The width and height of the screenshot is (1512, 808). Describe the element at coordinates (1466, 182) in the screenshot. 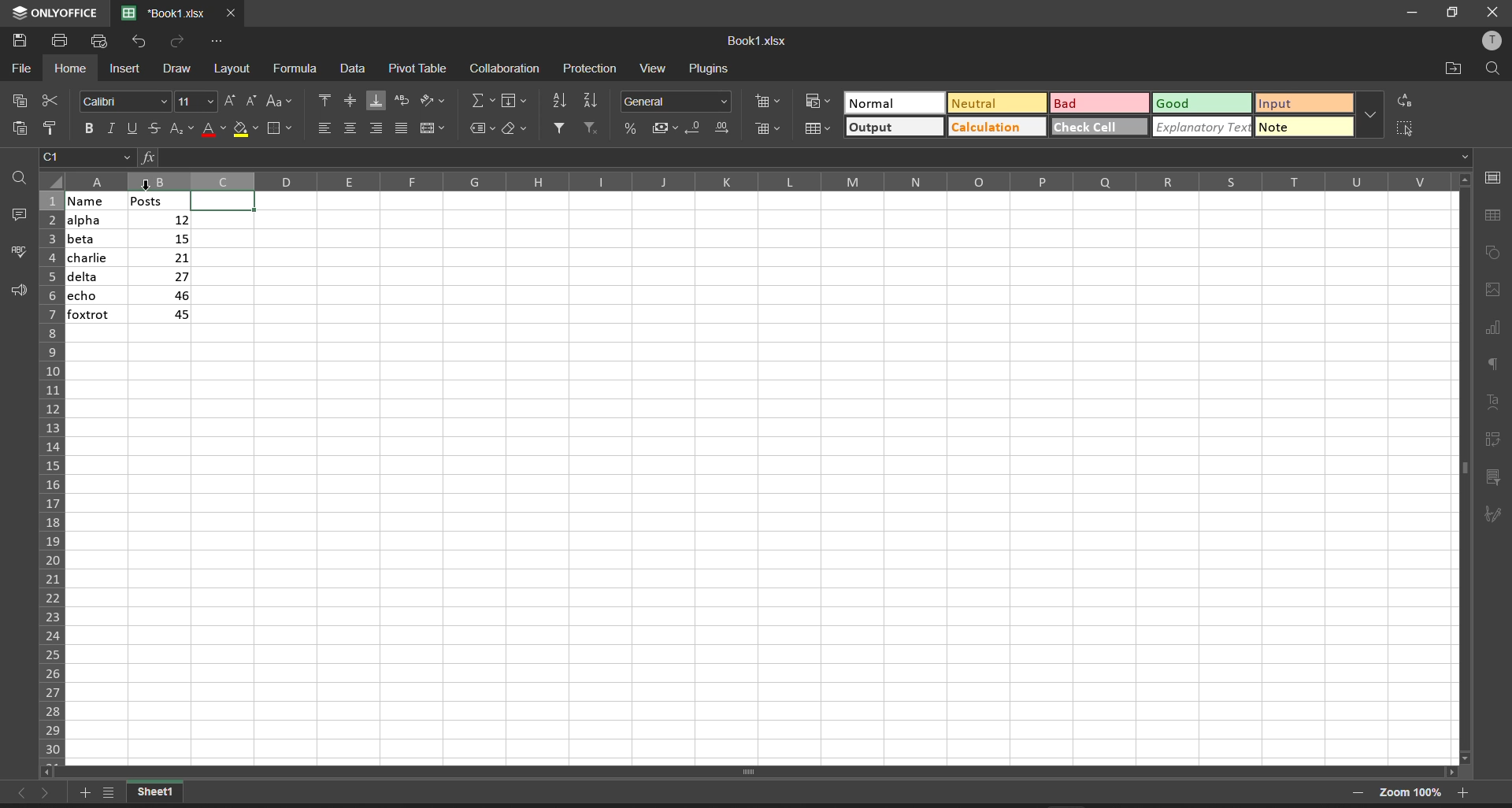

I see `scroll up` at that location.